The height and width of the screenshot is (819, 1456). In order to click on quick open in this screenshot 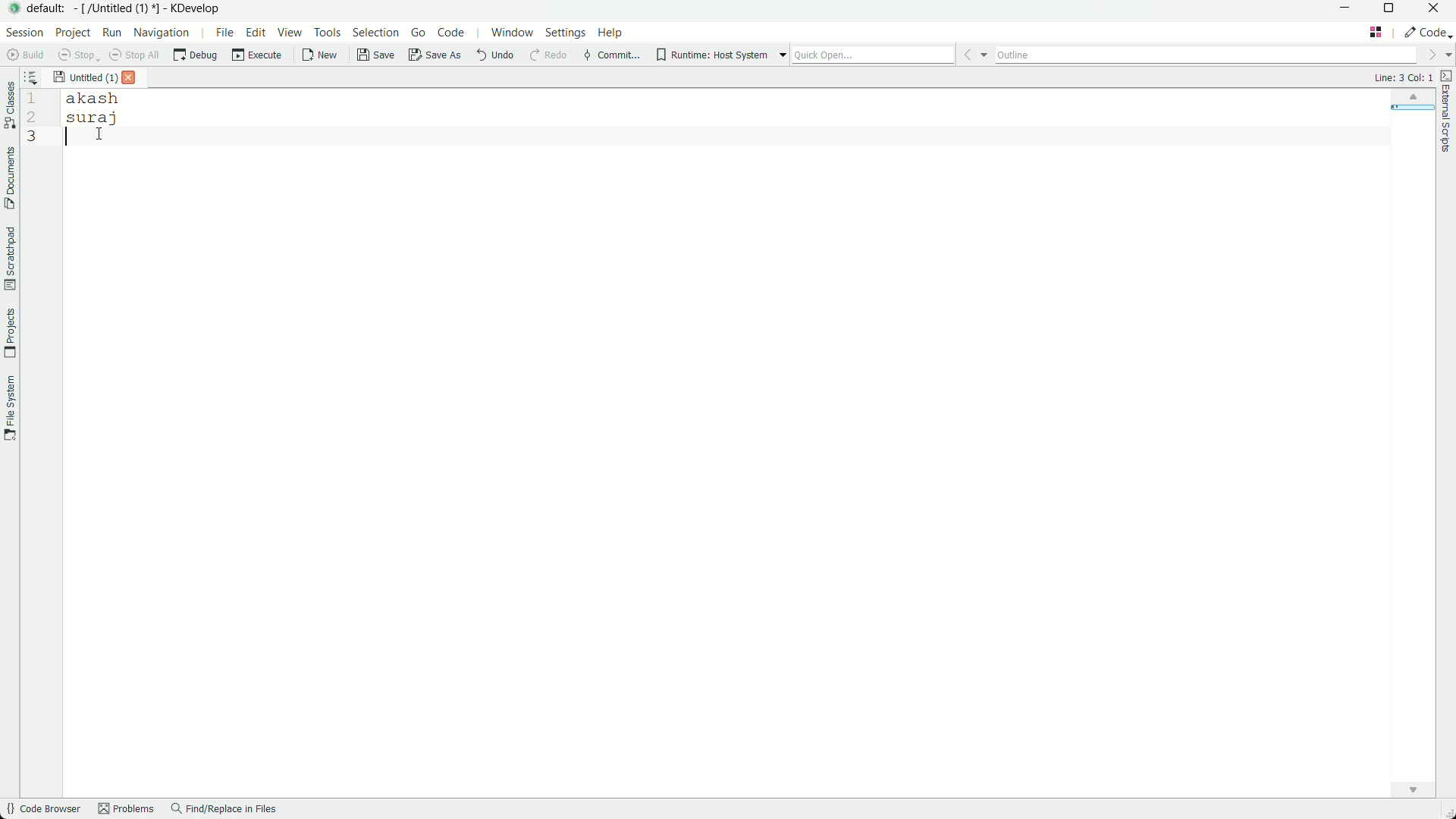, I will do `click(890, 54)`.